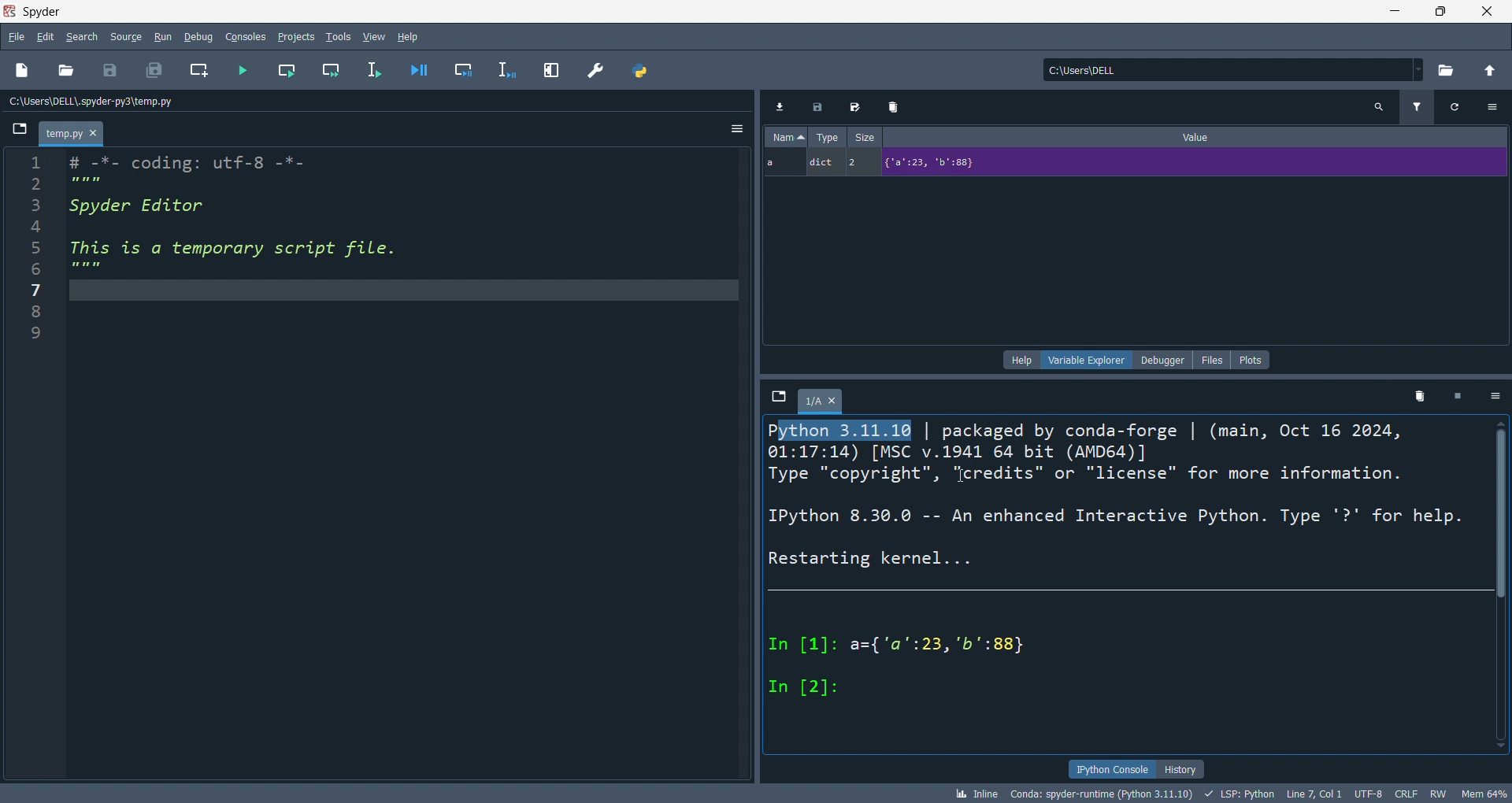 The width and height of the screenshot is (1512, 803). Describe the element at coordinates (1313, 794) in the screenshot. I see `LINE 7, COL 1` at that location.